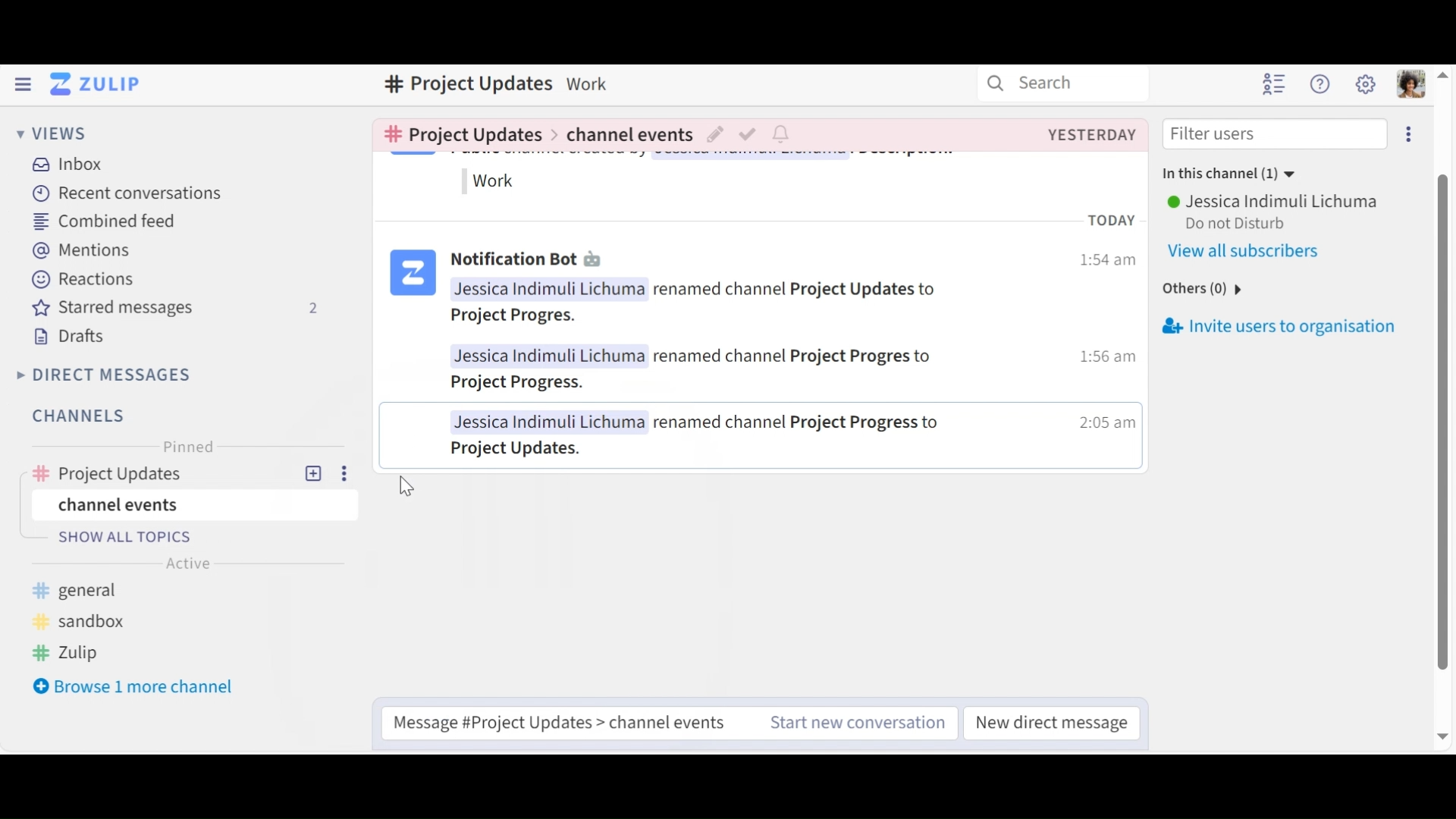 The width and height of the screenshot is (1456, 819). Describe the element at coordinates (69, 337) in the screenshot. I see `Drafts` at that location.